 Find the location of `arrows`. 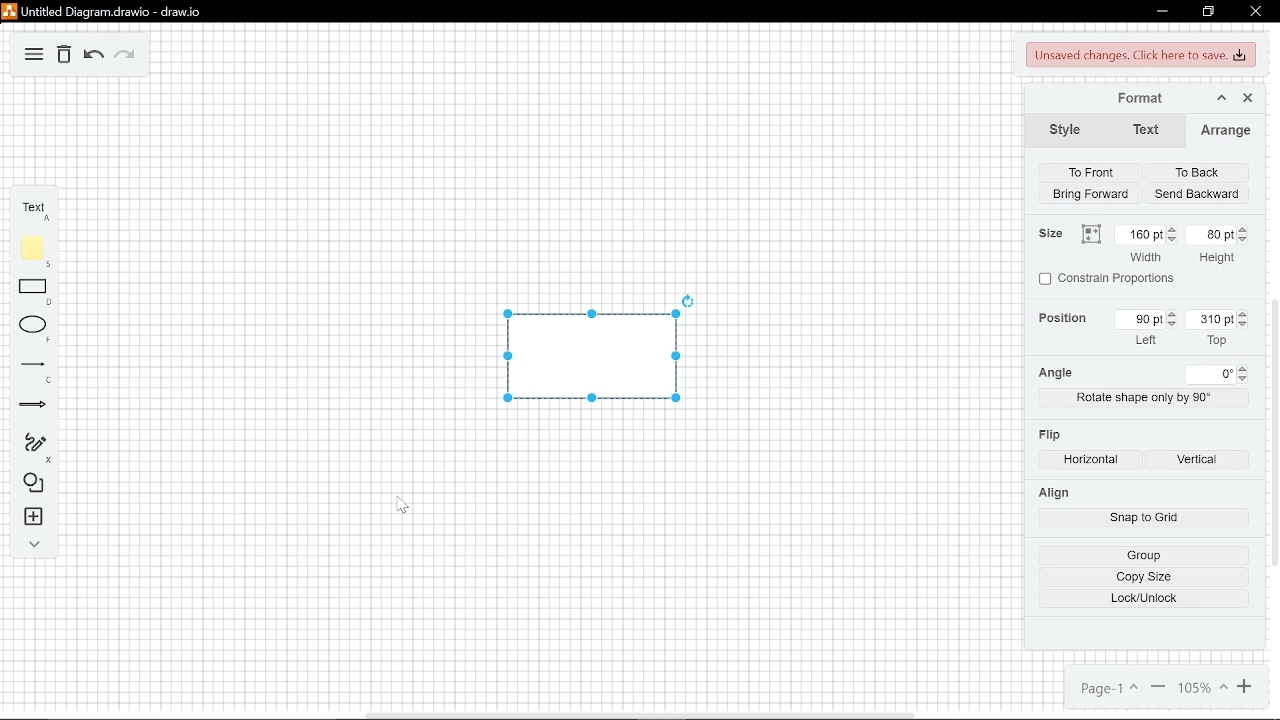

arrows is located at coordinates (36, 408).